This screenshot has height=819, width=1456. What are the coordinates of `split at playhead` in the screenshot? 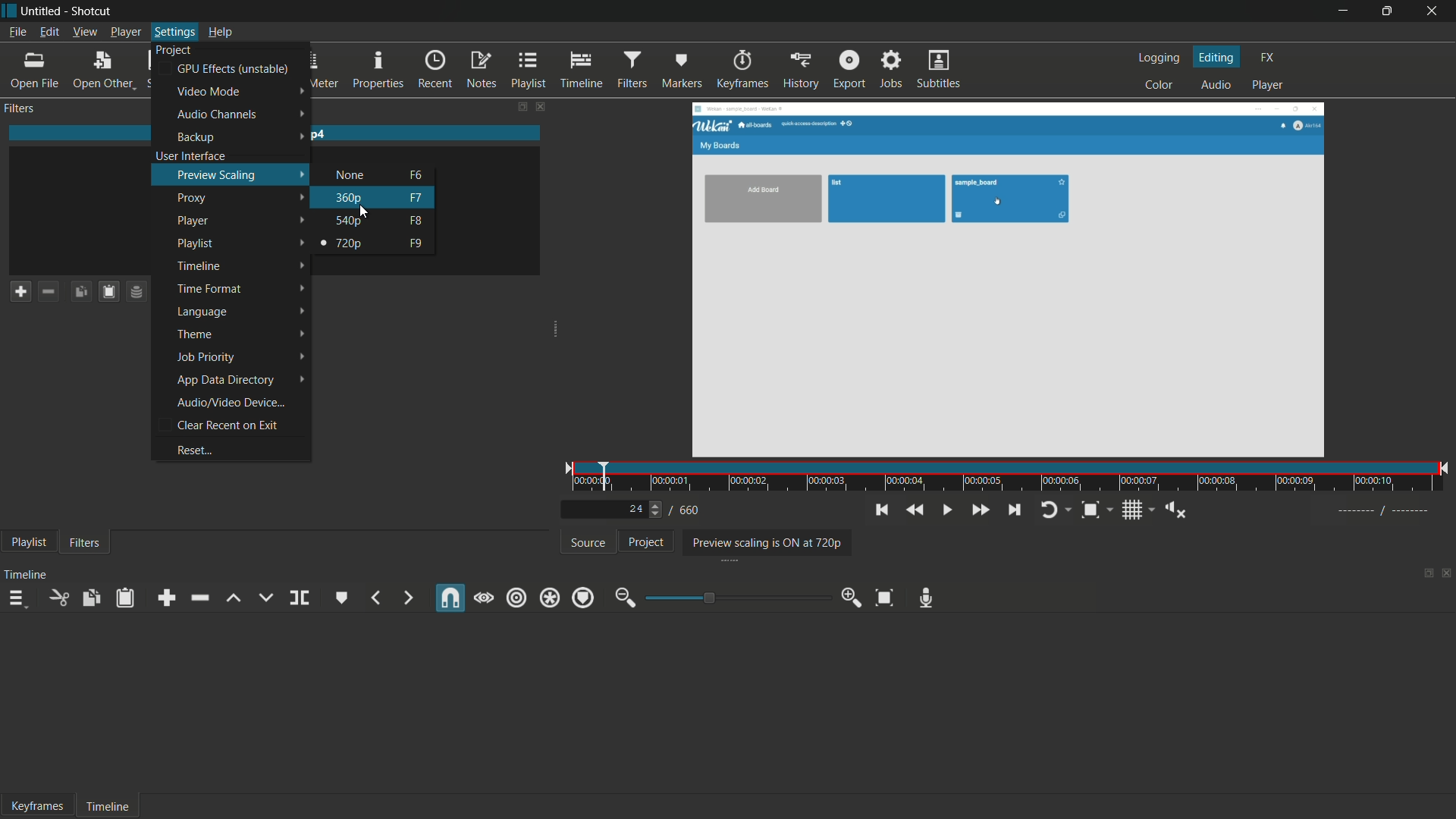 It's located at (302, 598).